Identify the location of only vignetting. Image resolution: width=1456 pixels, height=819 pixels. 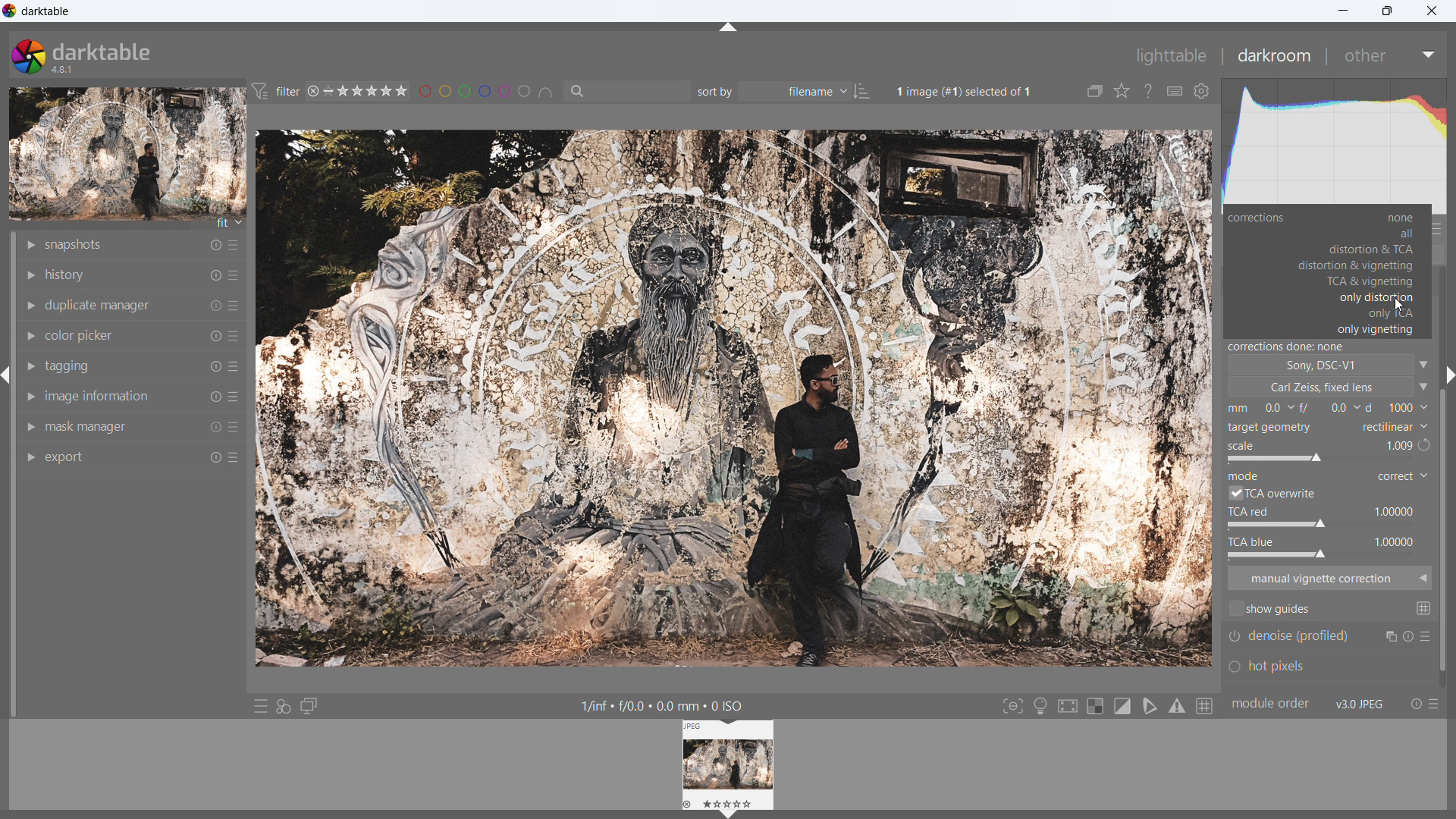
(1377, 330).